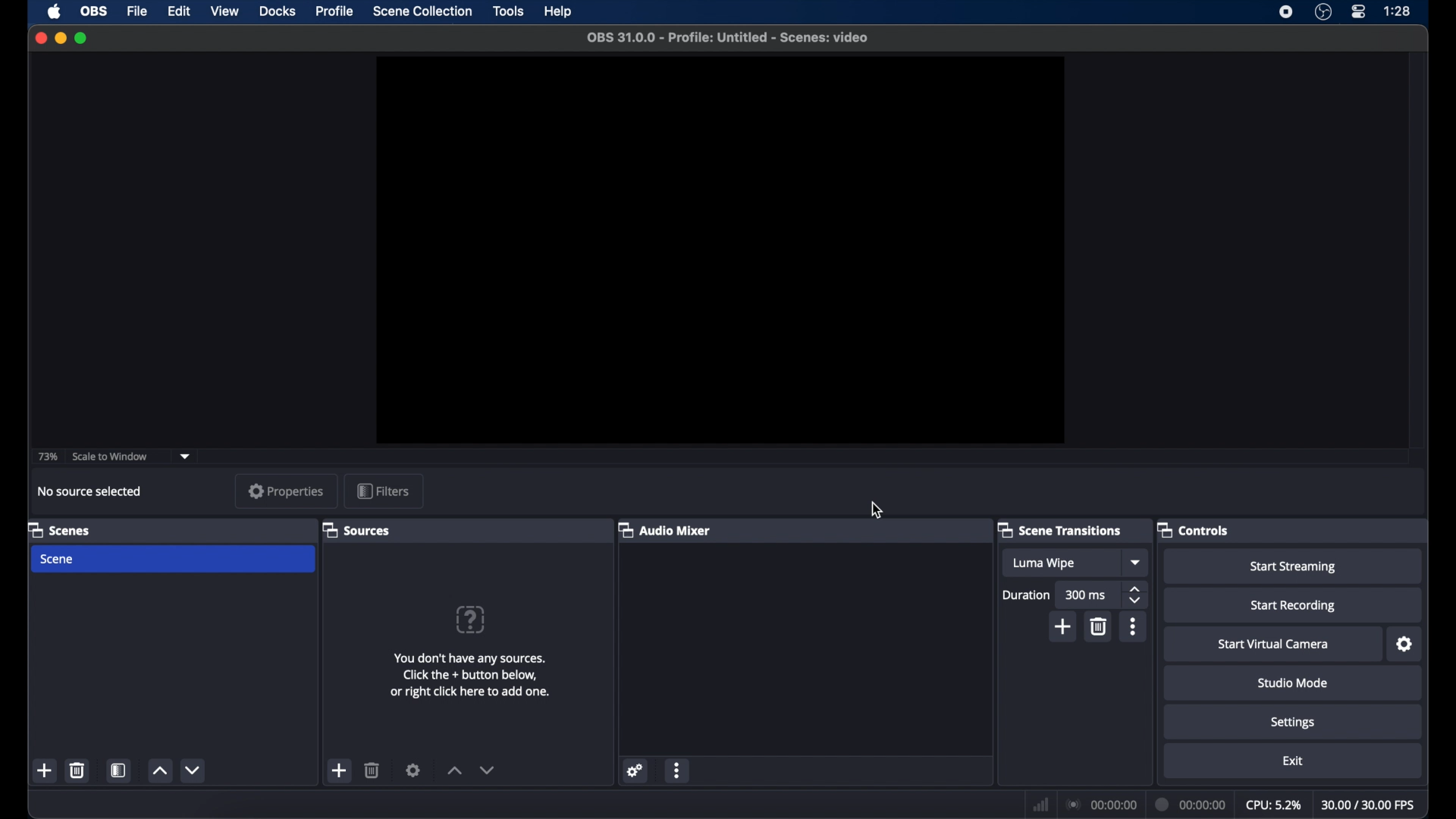 This screenshot has height=819, width=1456. What do you see at coordinates (286, 491) in the screenshot?
I see `properties` at bounding box center [286, 491].